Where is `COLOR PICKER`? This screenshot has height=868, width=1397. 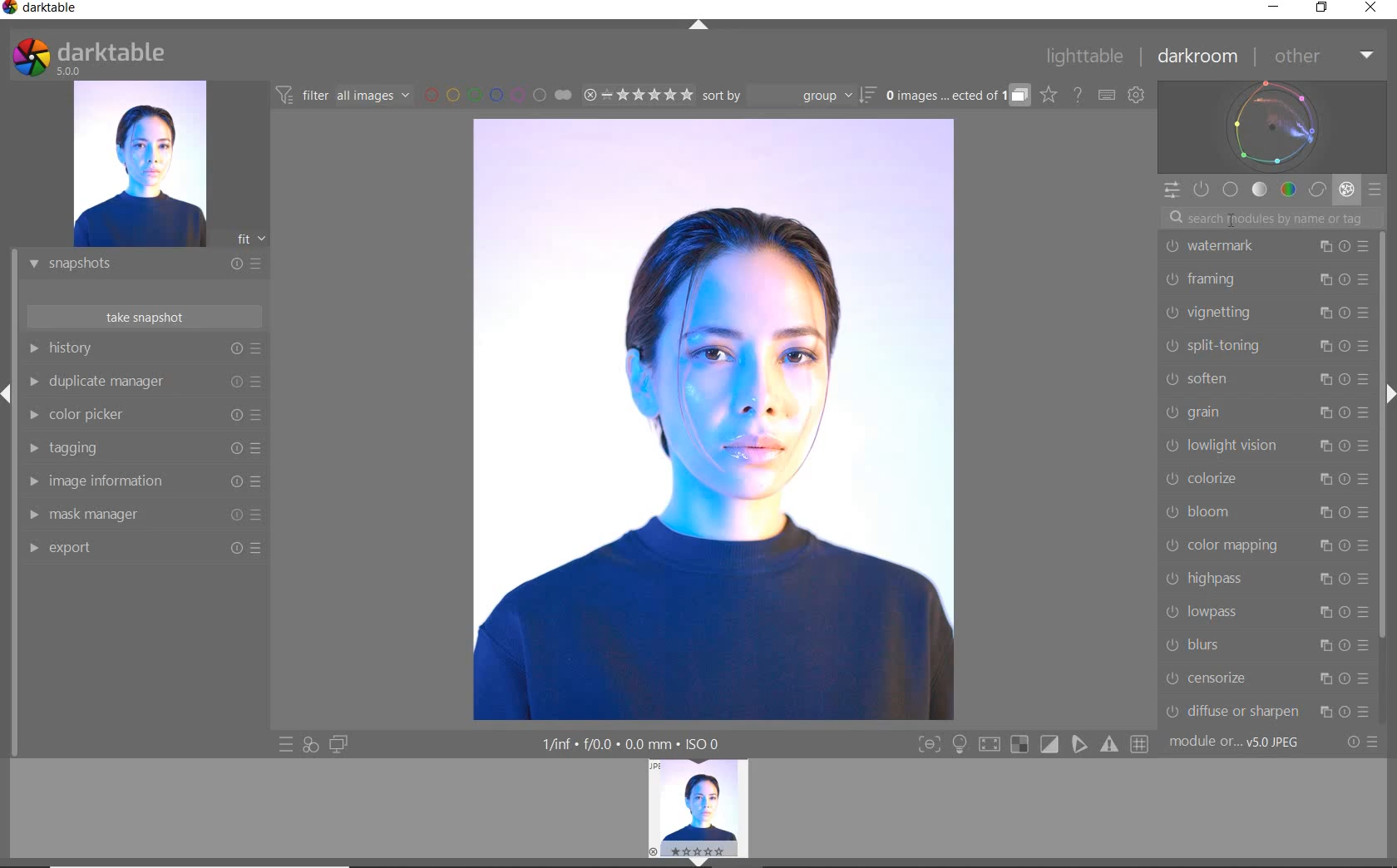 COLOR PICKER is located at coordinates (141, 416).